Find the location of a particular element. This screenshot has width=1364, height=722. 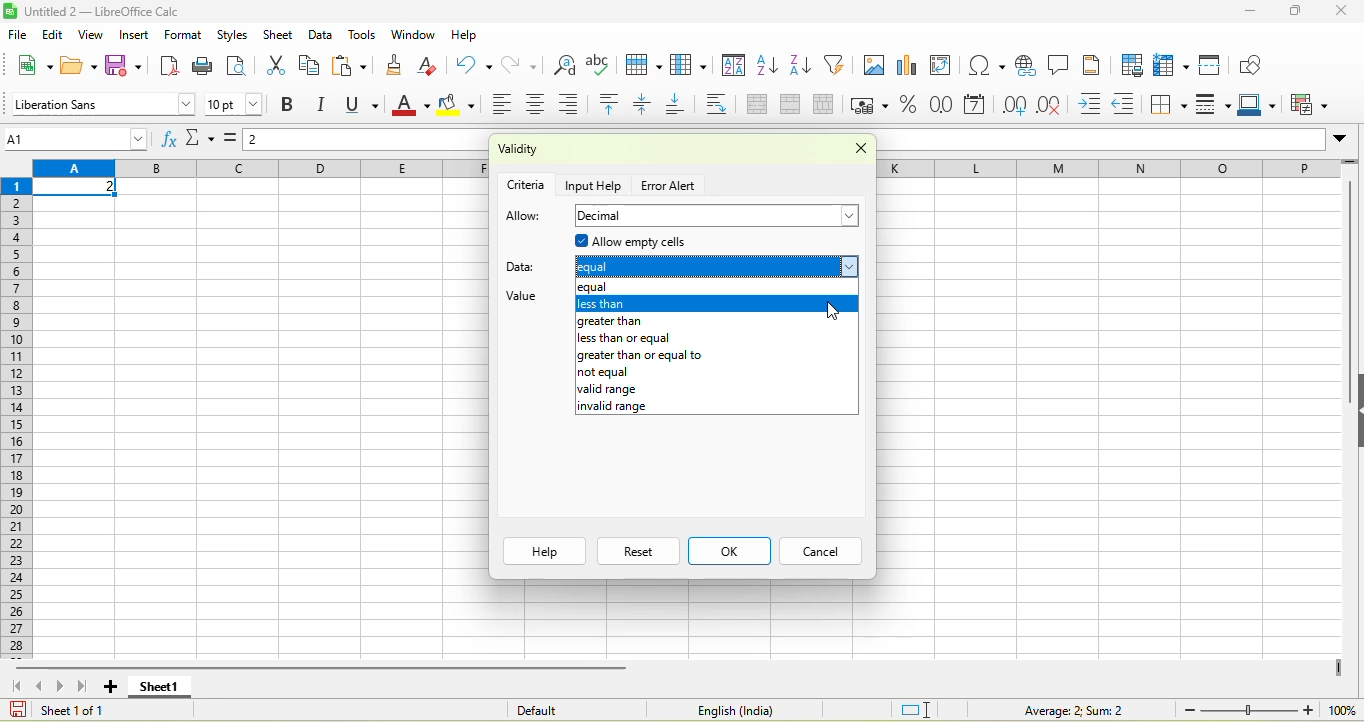

standard selection is located at coordinates (917, 708).